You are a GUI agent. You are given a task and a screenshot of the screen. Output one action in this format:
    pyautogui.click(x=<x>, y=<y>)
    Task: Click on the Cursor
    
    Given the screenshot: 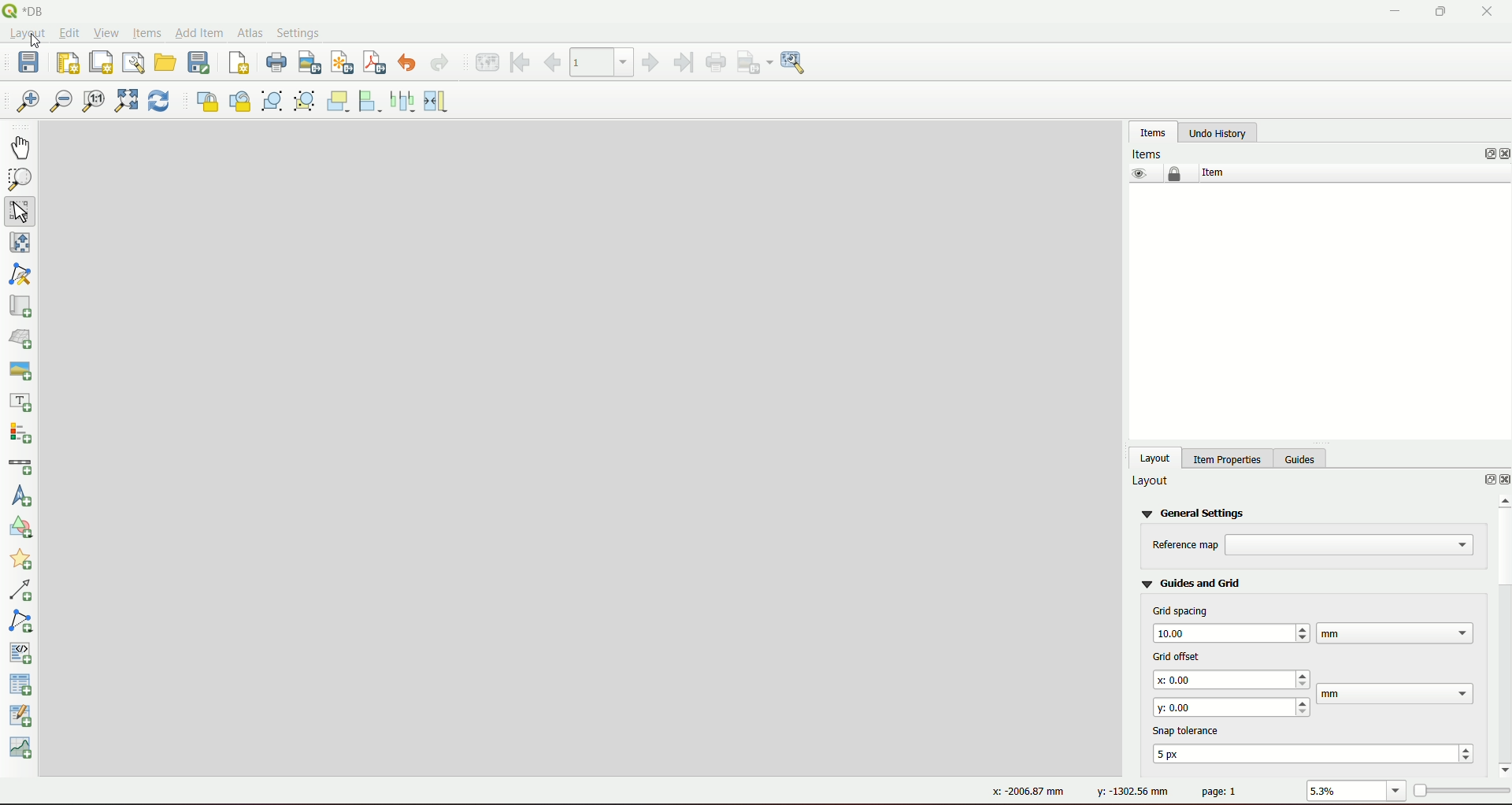 What is the action you would take?
    pyautogui.click(x=31, y=44)
    